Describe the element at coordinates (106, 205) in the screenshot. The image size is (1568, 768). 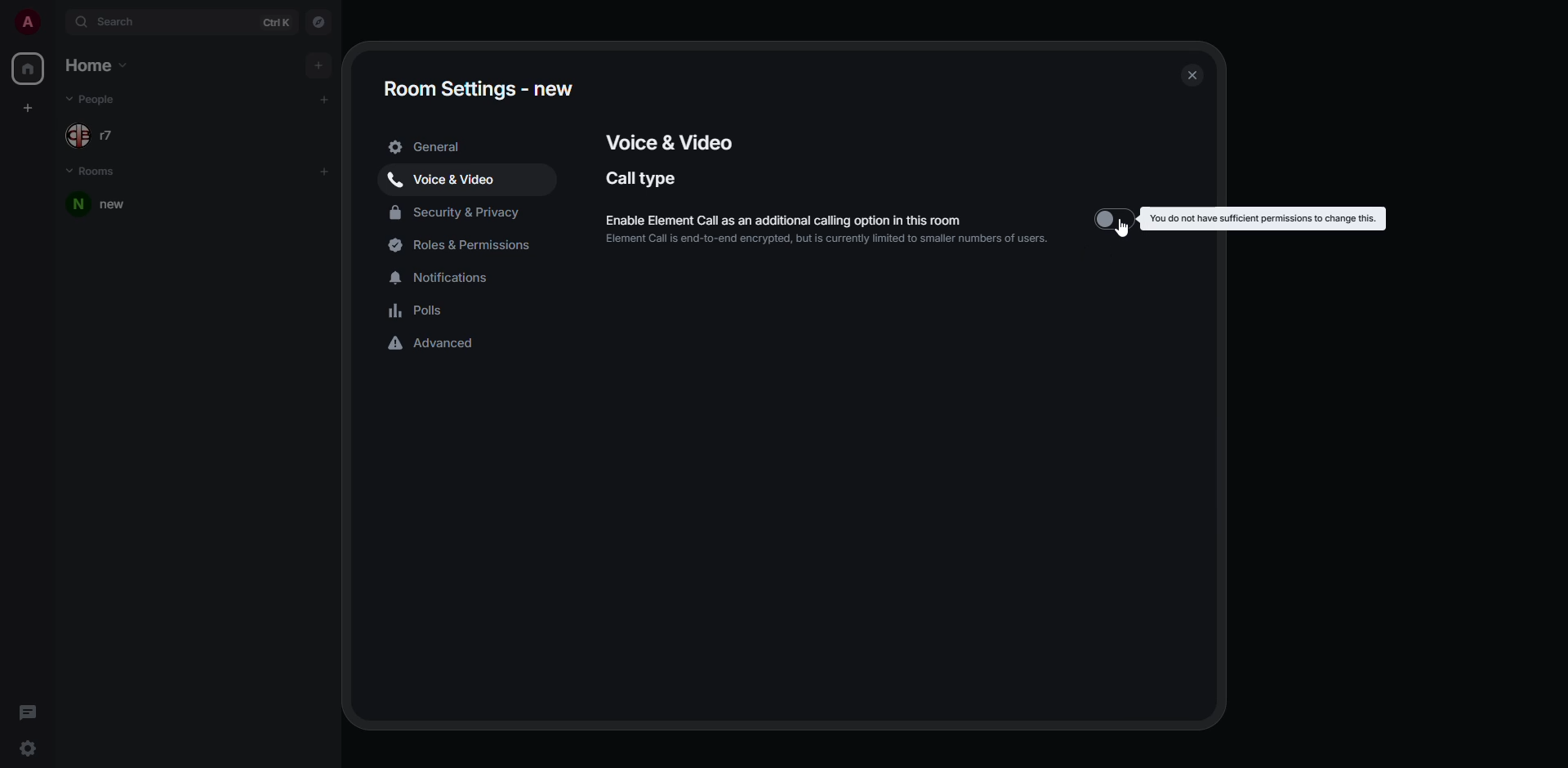
I see `room` at that location.